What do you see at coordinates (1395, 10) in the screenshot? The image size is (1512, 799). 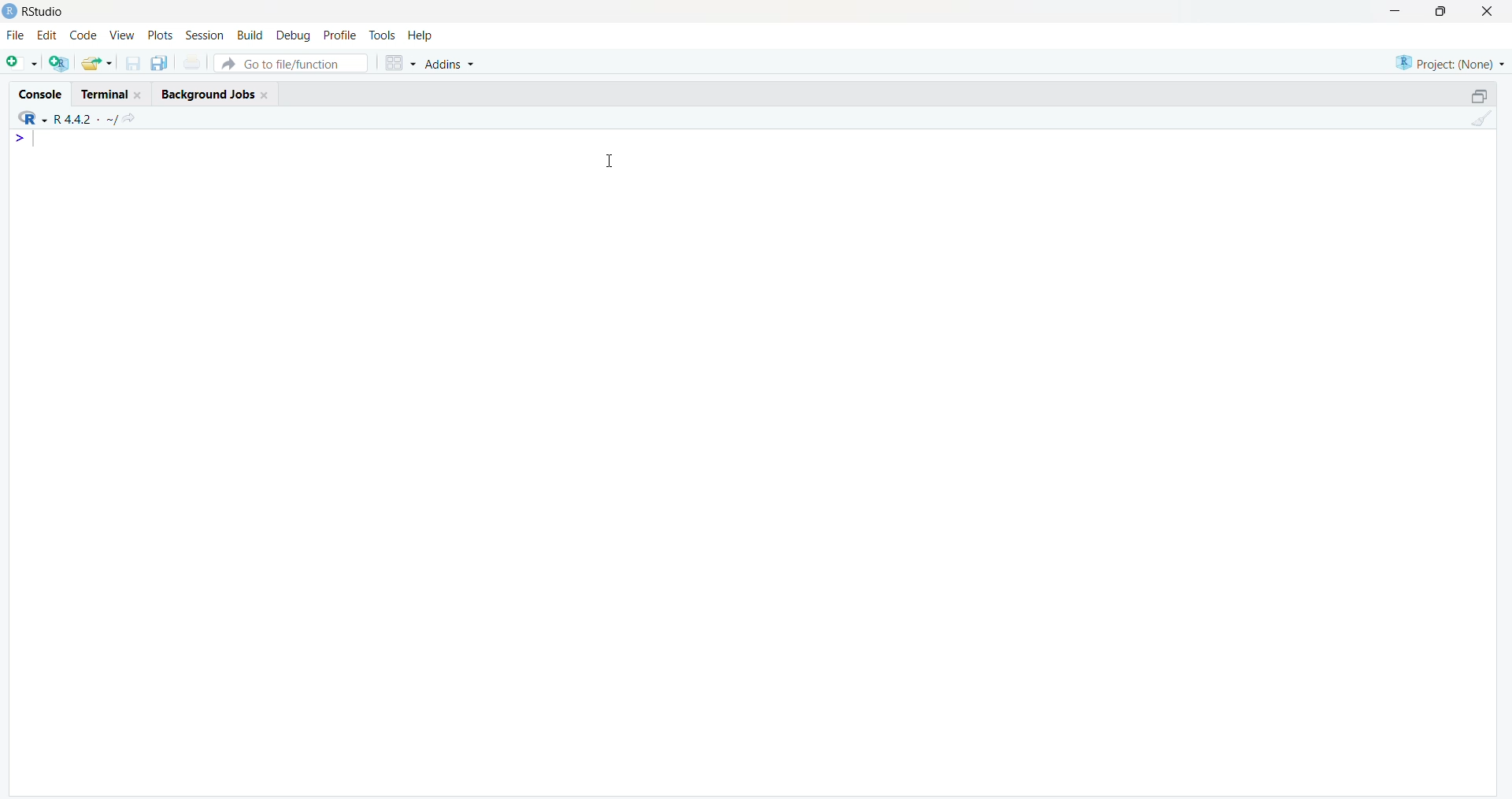 I see `minimise` at bounding box center [1395, 10].